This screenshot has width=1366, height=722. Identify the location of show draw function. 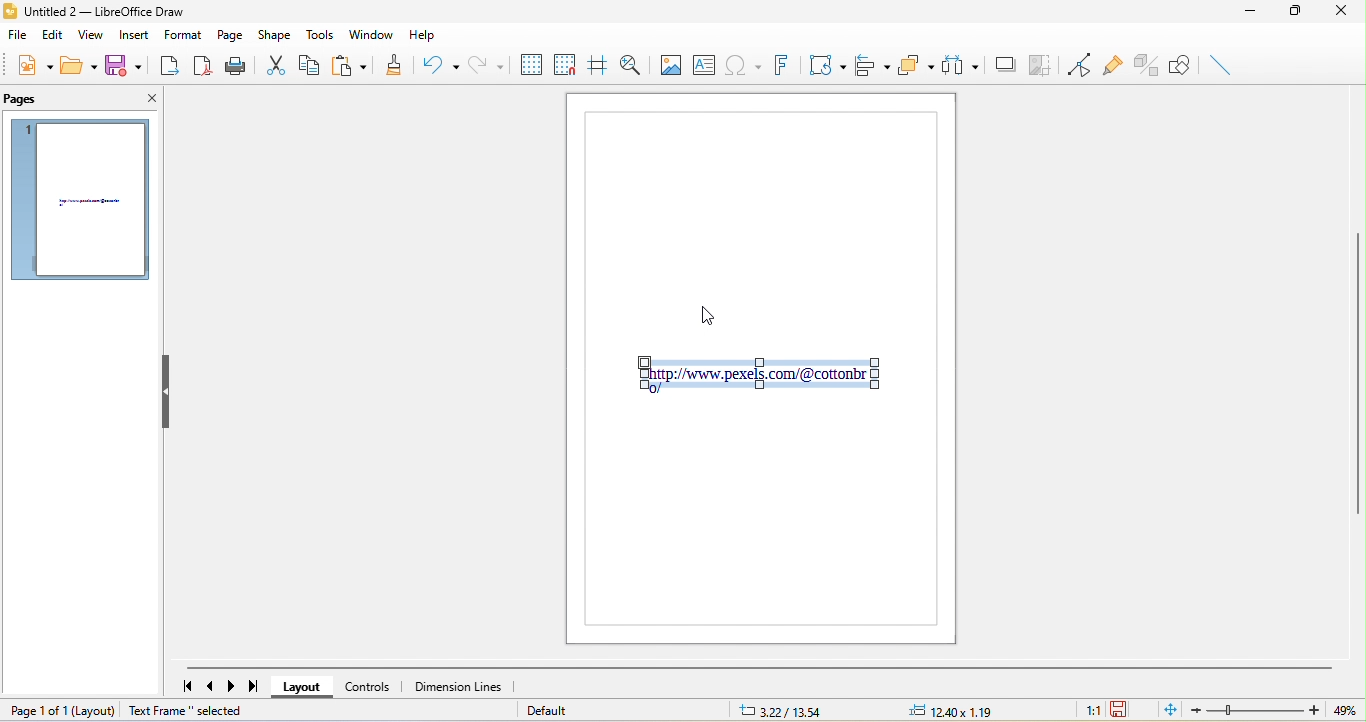
(1181, 62).